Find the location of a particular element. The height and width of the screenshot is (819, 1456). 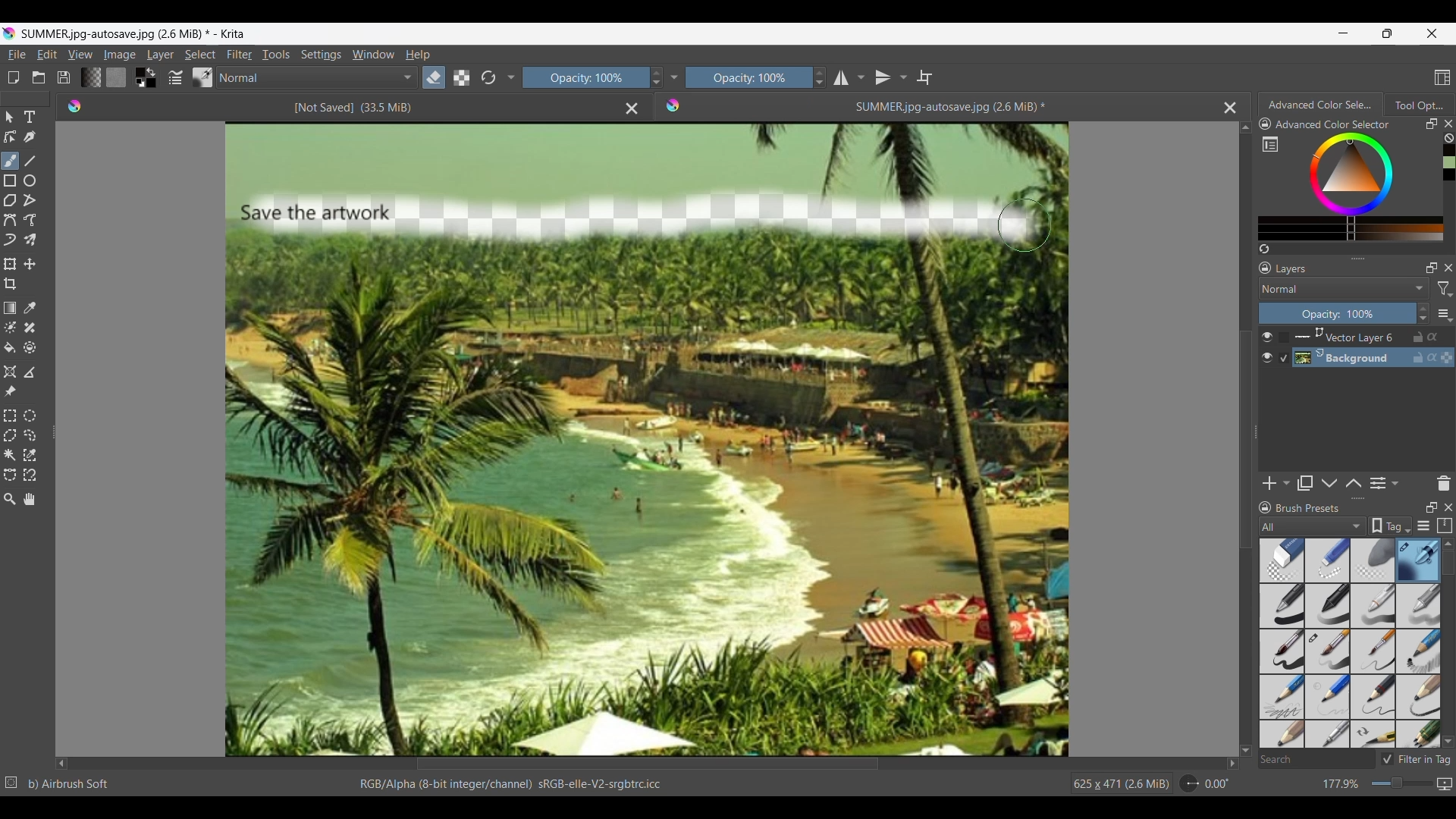

Freehand path tool is located at coordinates (30, 219).